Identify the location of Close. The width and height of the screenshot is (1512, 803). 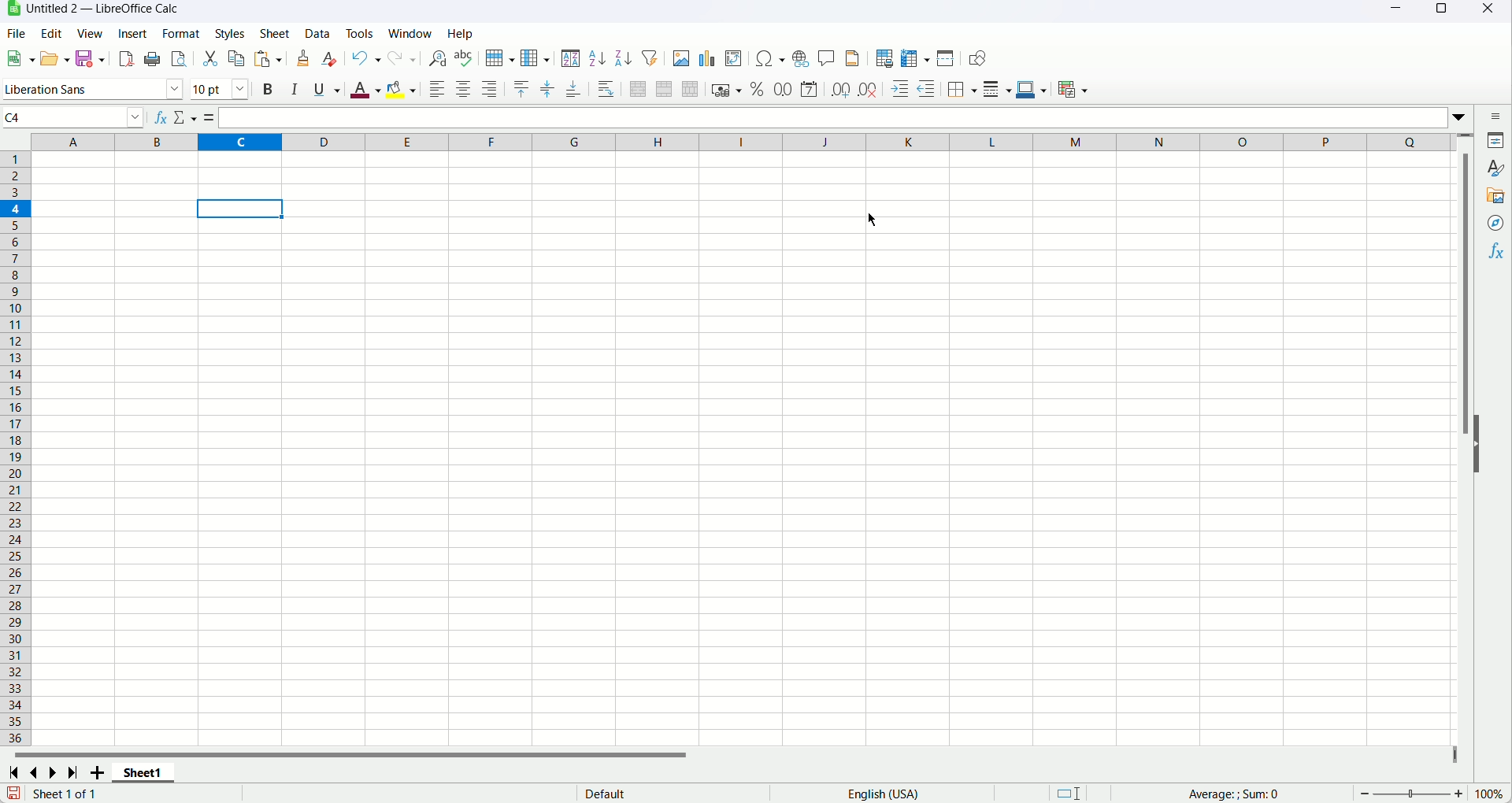
(1492, 12).